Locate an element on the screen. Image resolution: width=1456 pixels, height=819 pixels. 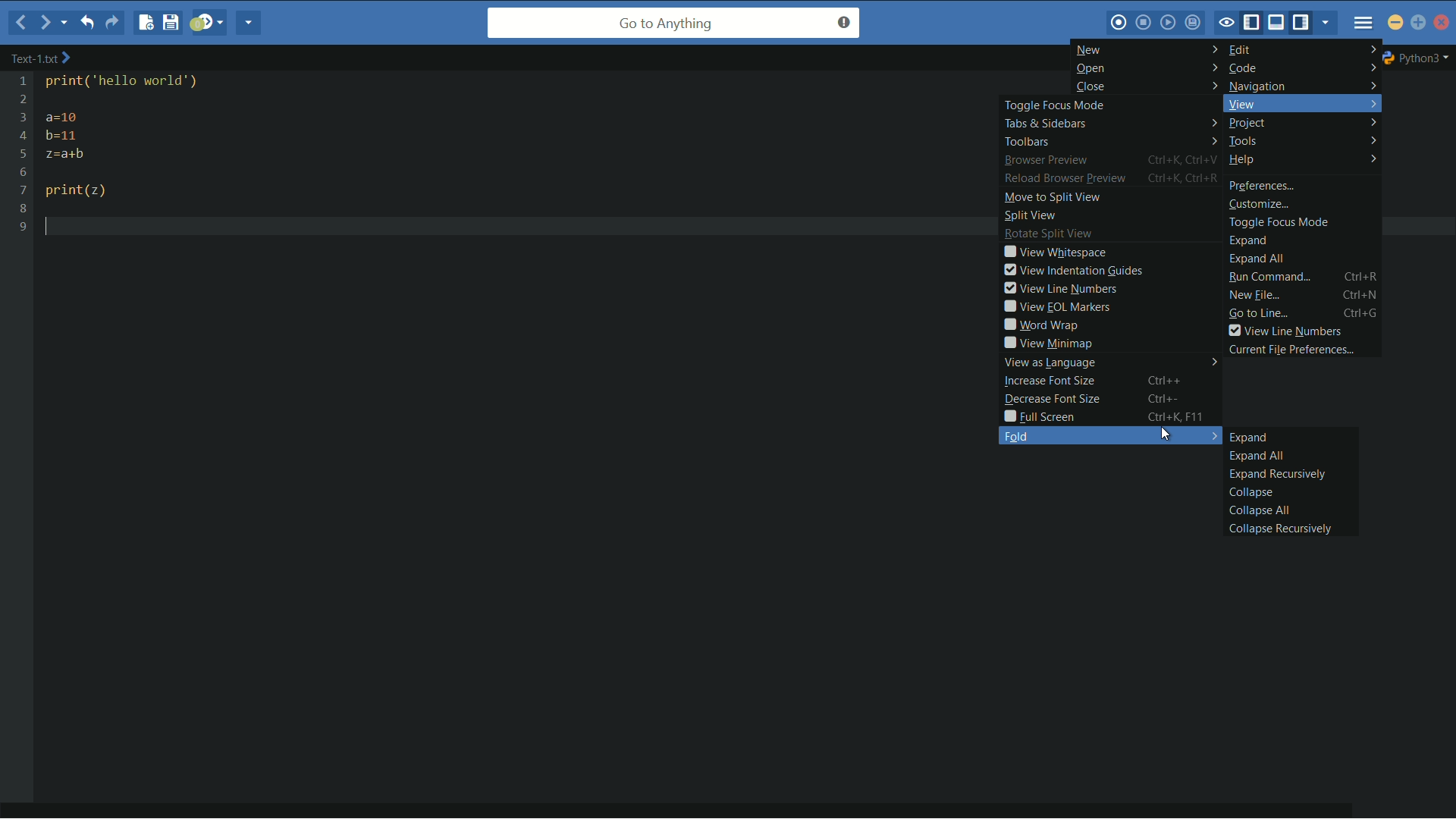
toggle focus mode is located at coordinates (1227, 22).